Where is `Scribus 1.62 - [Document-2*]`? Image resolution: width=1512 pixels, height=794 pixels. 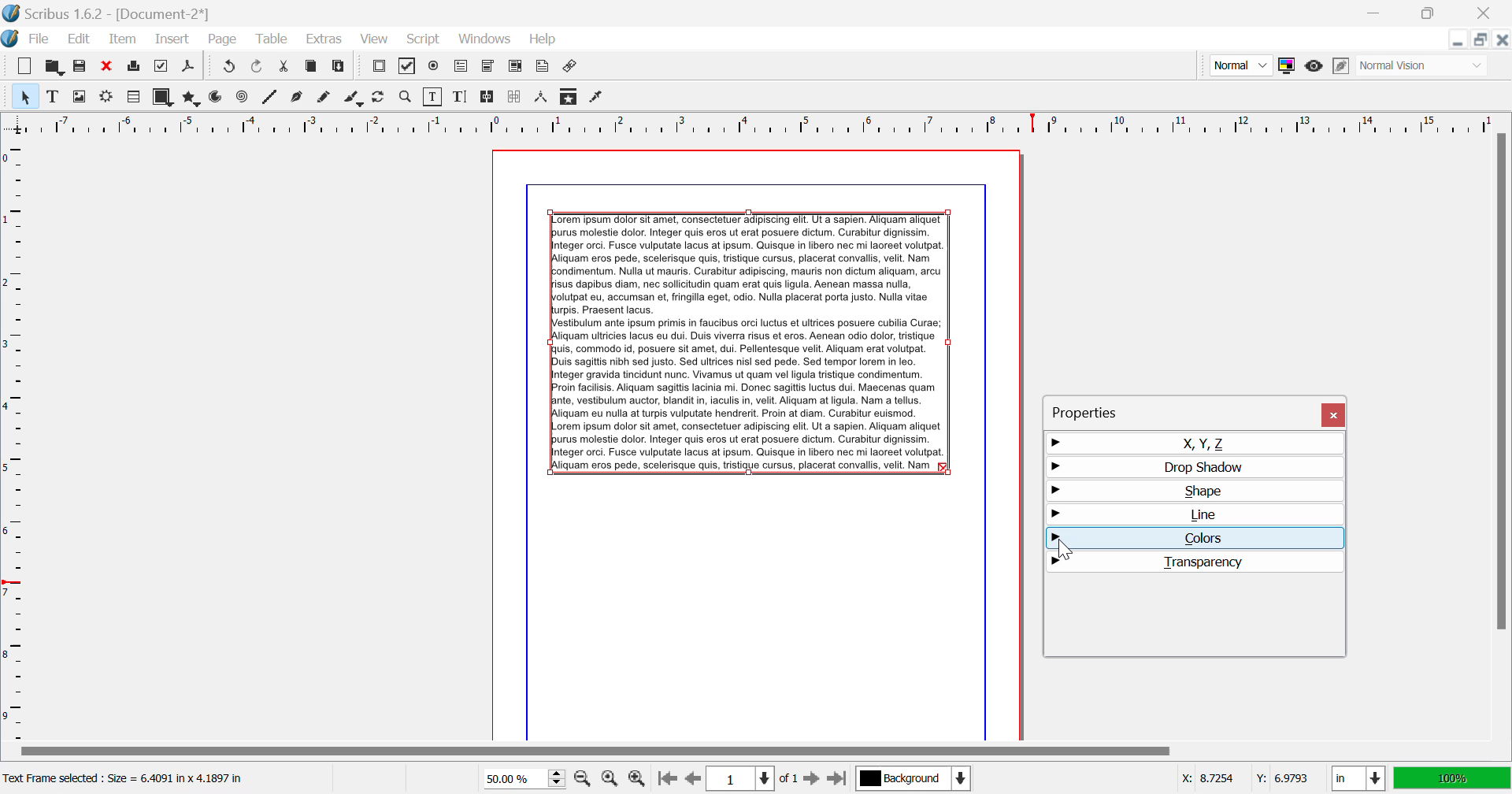 Scribus 1.62 - [Document-2*] is located at coordinates (108, 13).